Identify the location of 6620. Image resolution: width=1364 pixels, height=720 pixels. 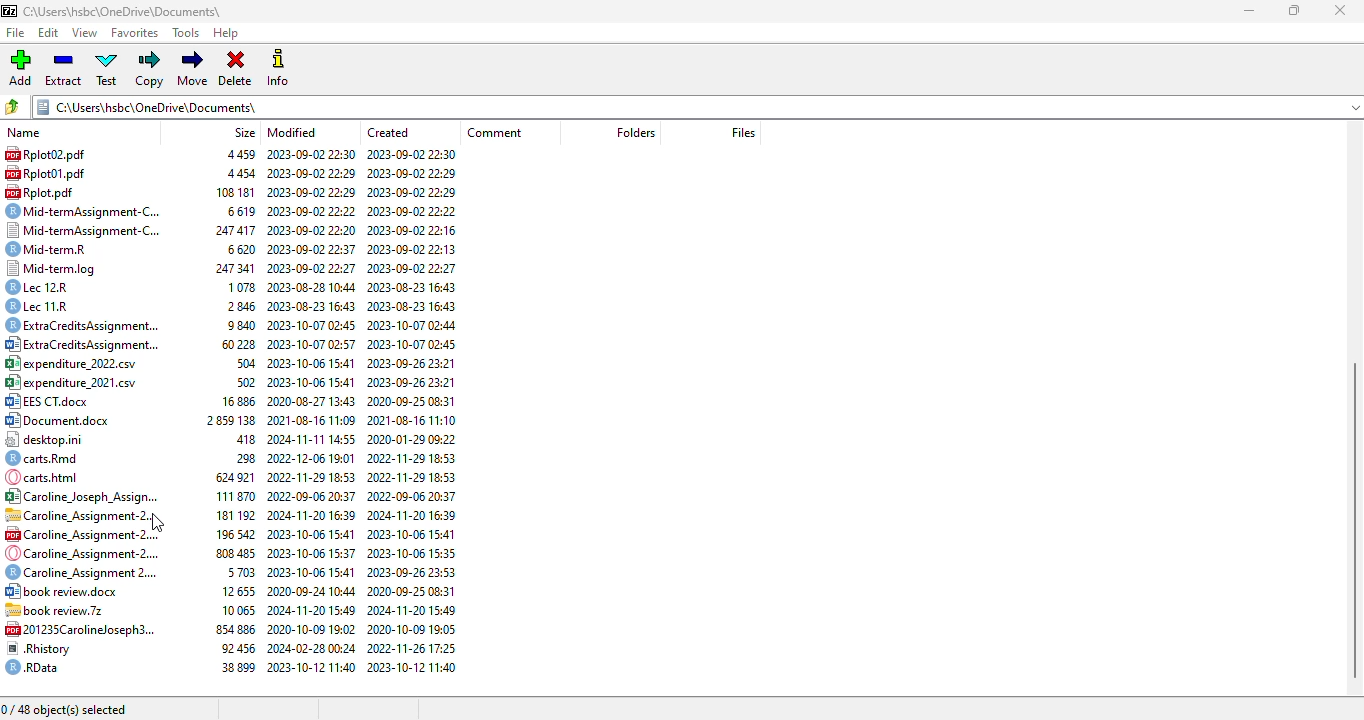
(241, 248).